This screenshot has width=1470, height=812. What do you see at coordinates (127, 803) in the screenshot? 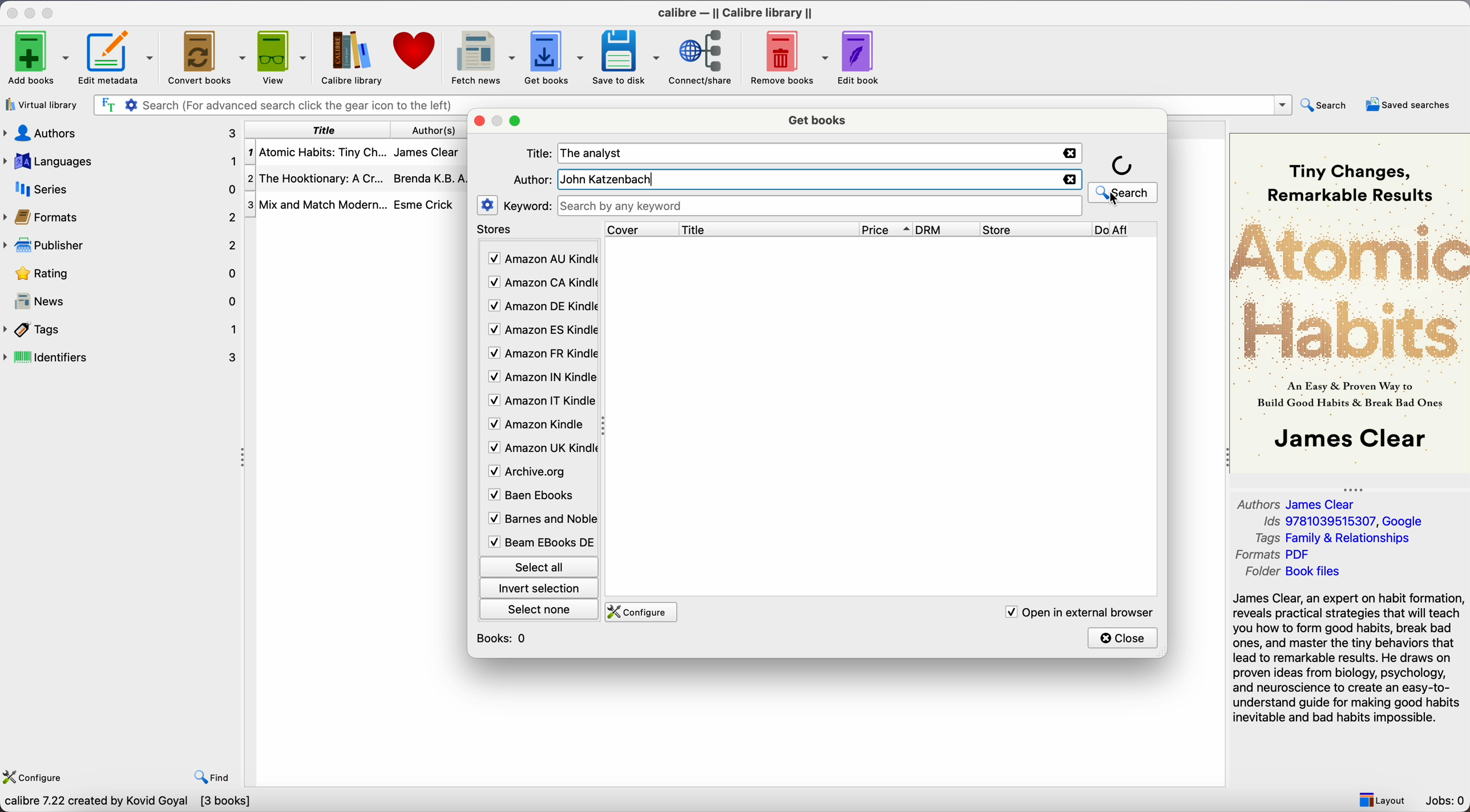
I see `calibre 7.22 created by Kovid Goyal [3 books]` at bounding box center [127, 803].